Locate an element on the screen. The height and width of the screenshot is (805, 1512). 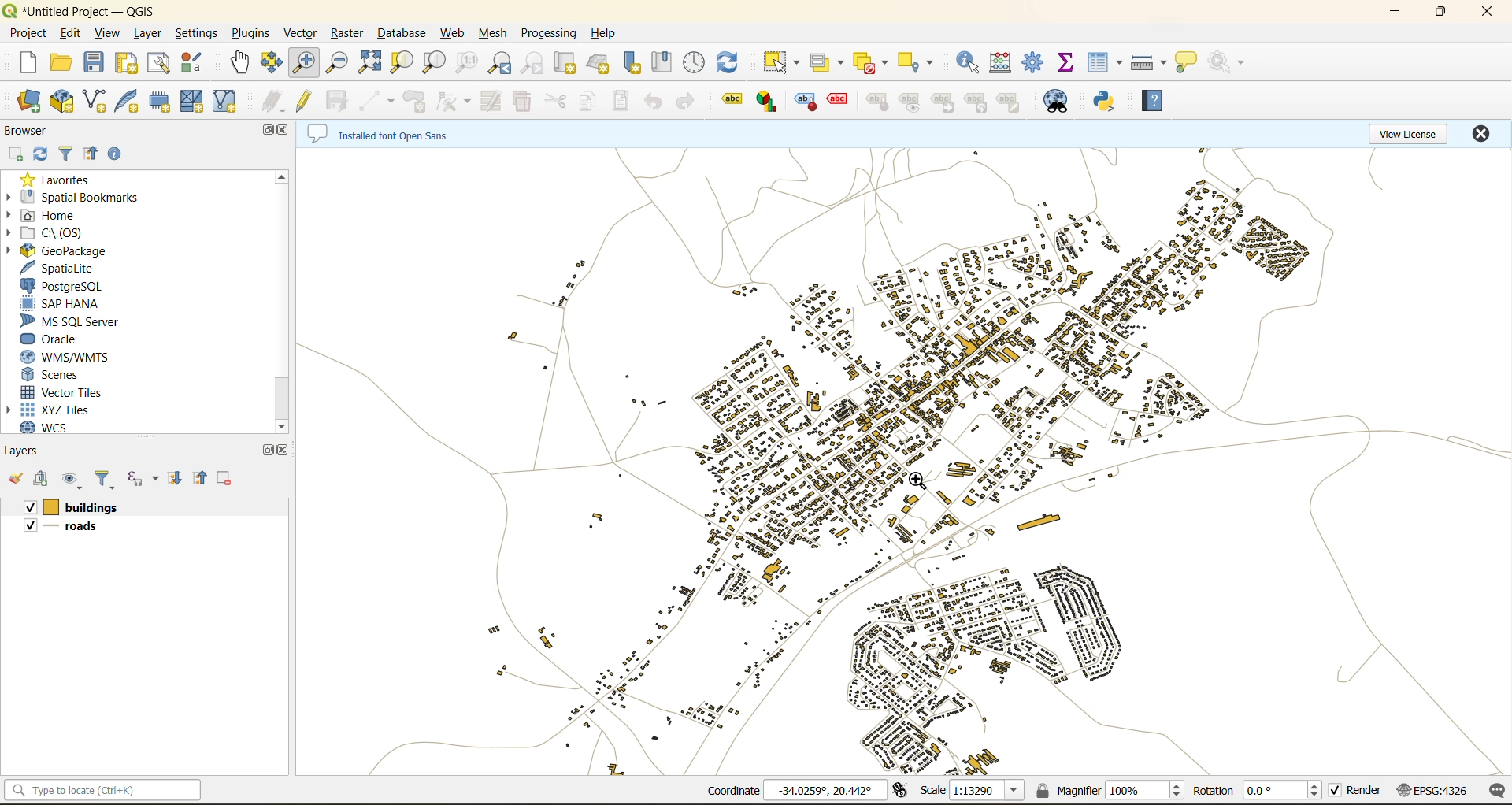
wcs is located at coordinates (46, 427).